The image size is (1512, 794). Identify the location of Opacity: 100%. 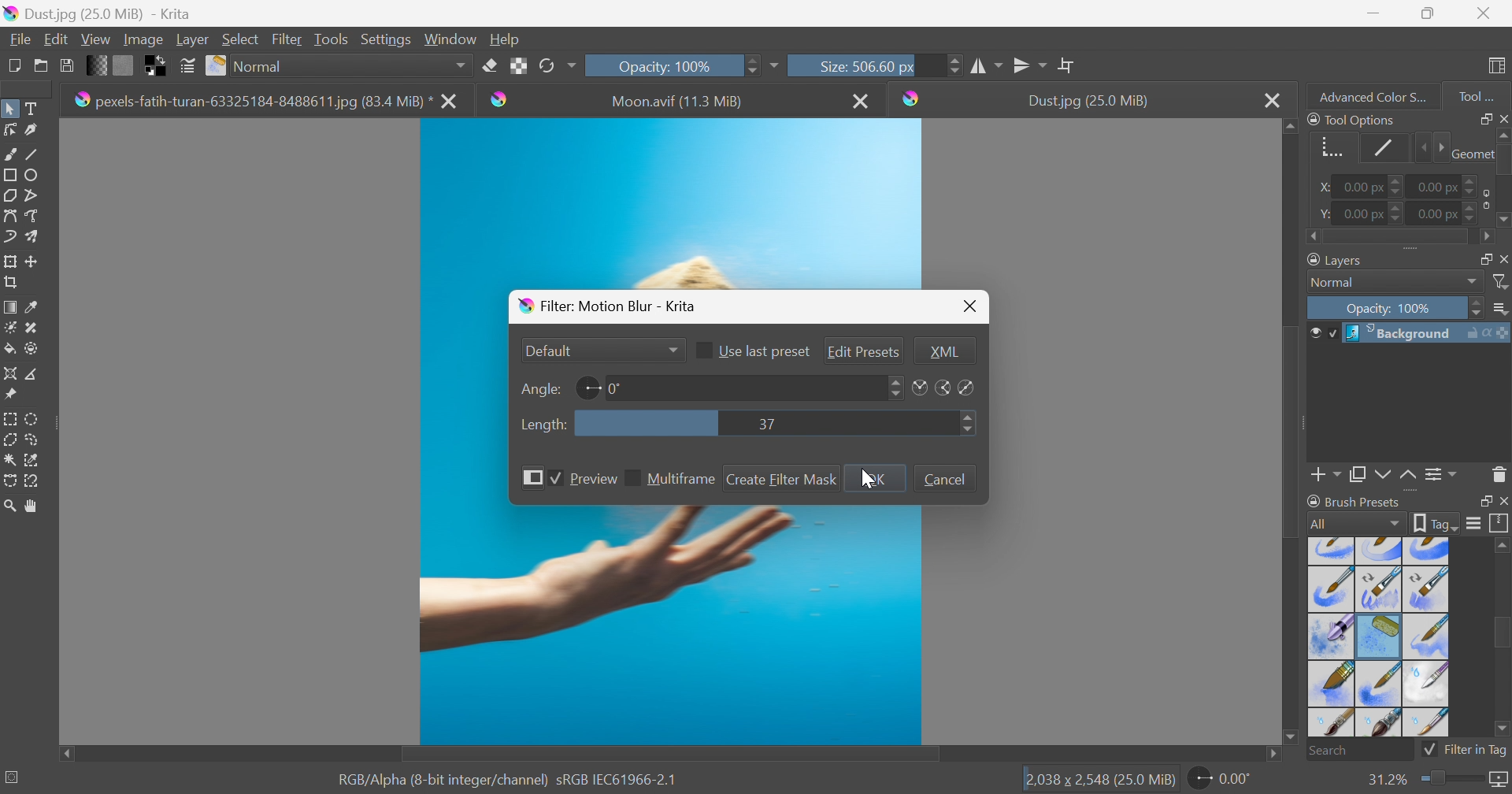
(662, 65).